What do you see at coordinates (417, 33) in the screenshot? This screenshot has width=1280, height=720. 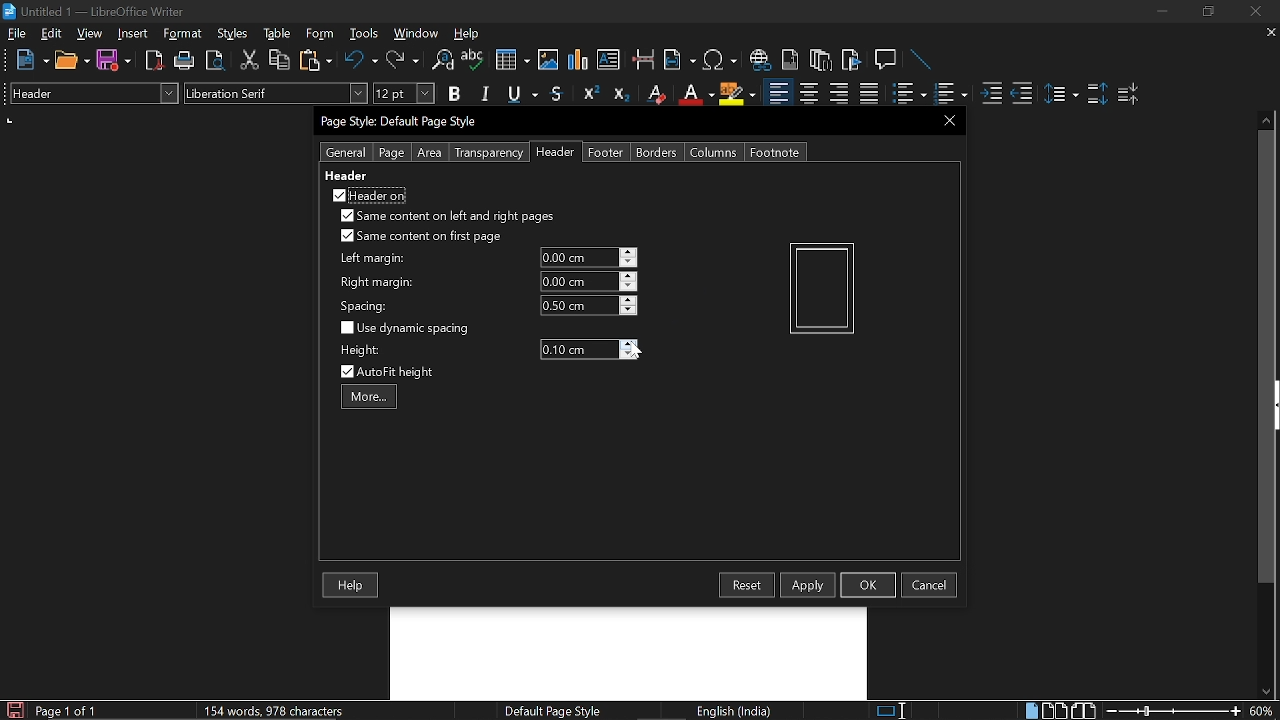 I see `WIndow` at bounding box center [417, 33].